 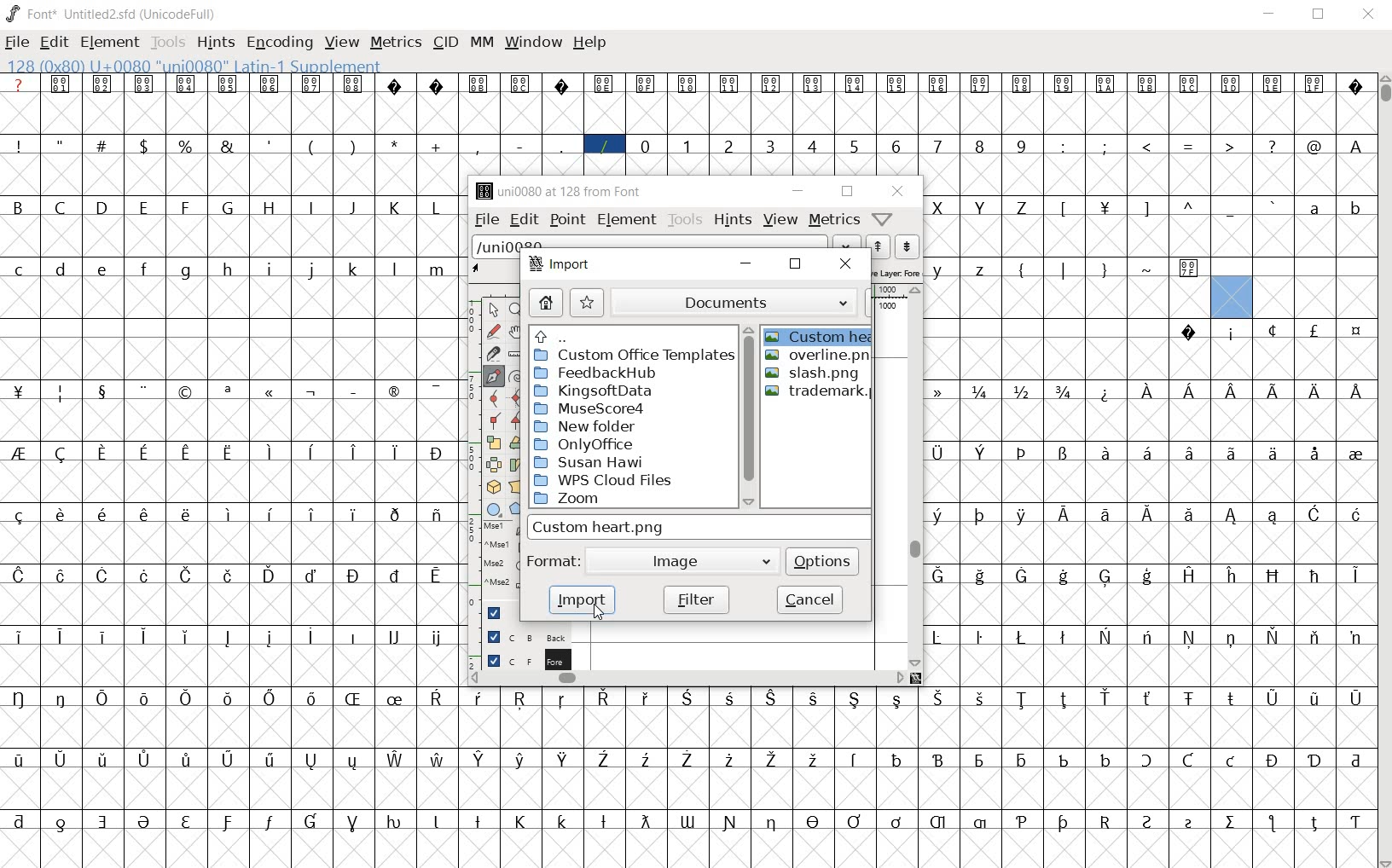 I want to click on glyph, so click(x=1232, y=576).